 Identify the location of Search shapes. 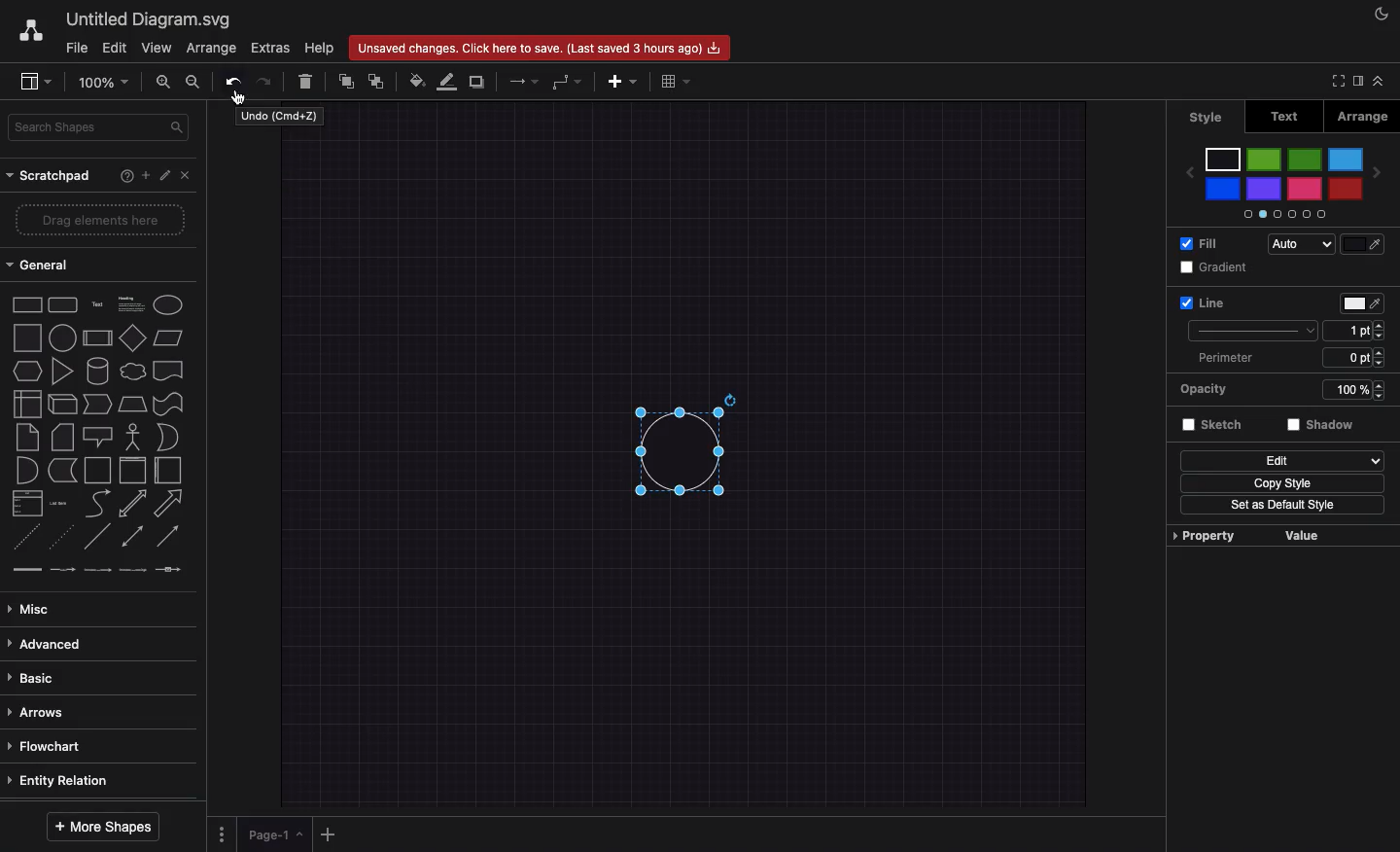
(102, 128).